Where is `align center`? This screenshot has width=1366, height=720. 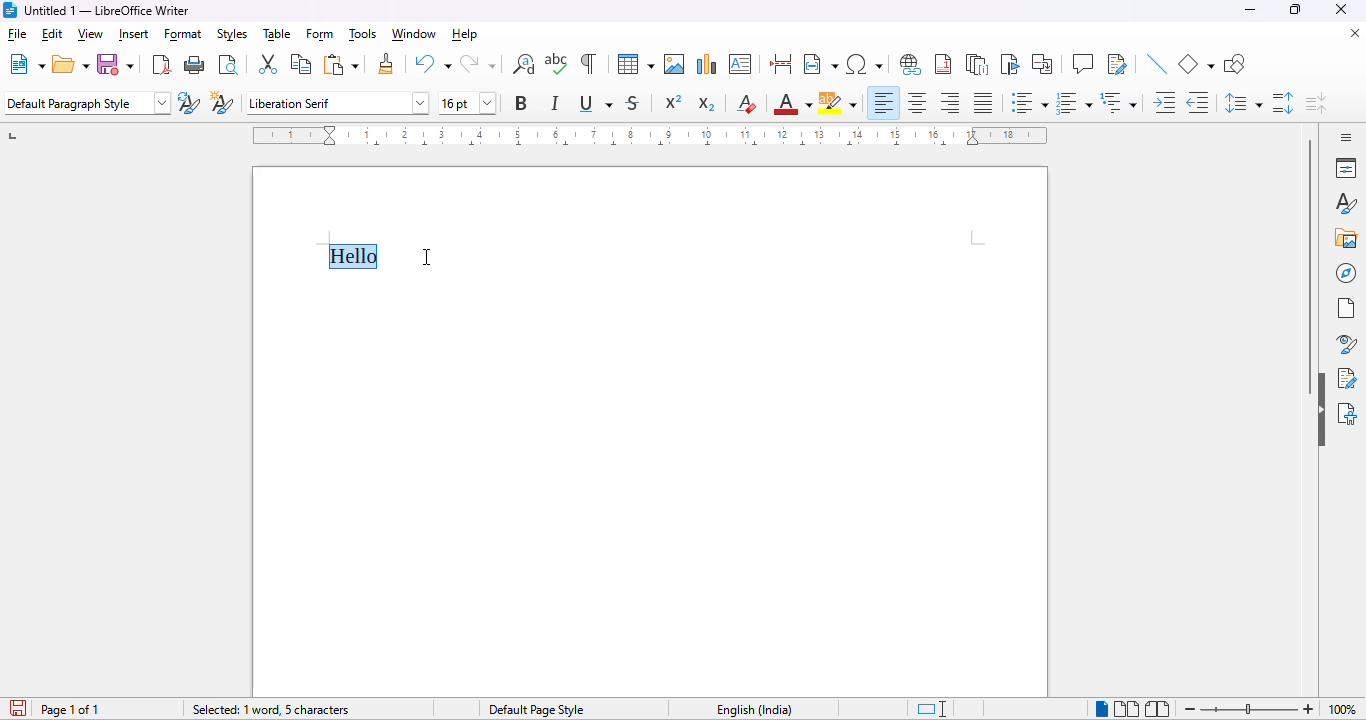 align center is located at coordinates (918, 104).